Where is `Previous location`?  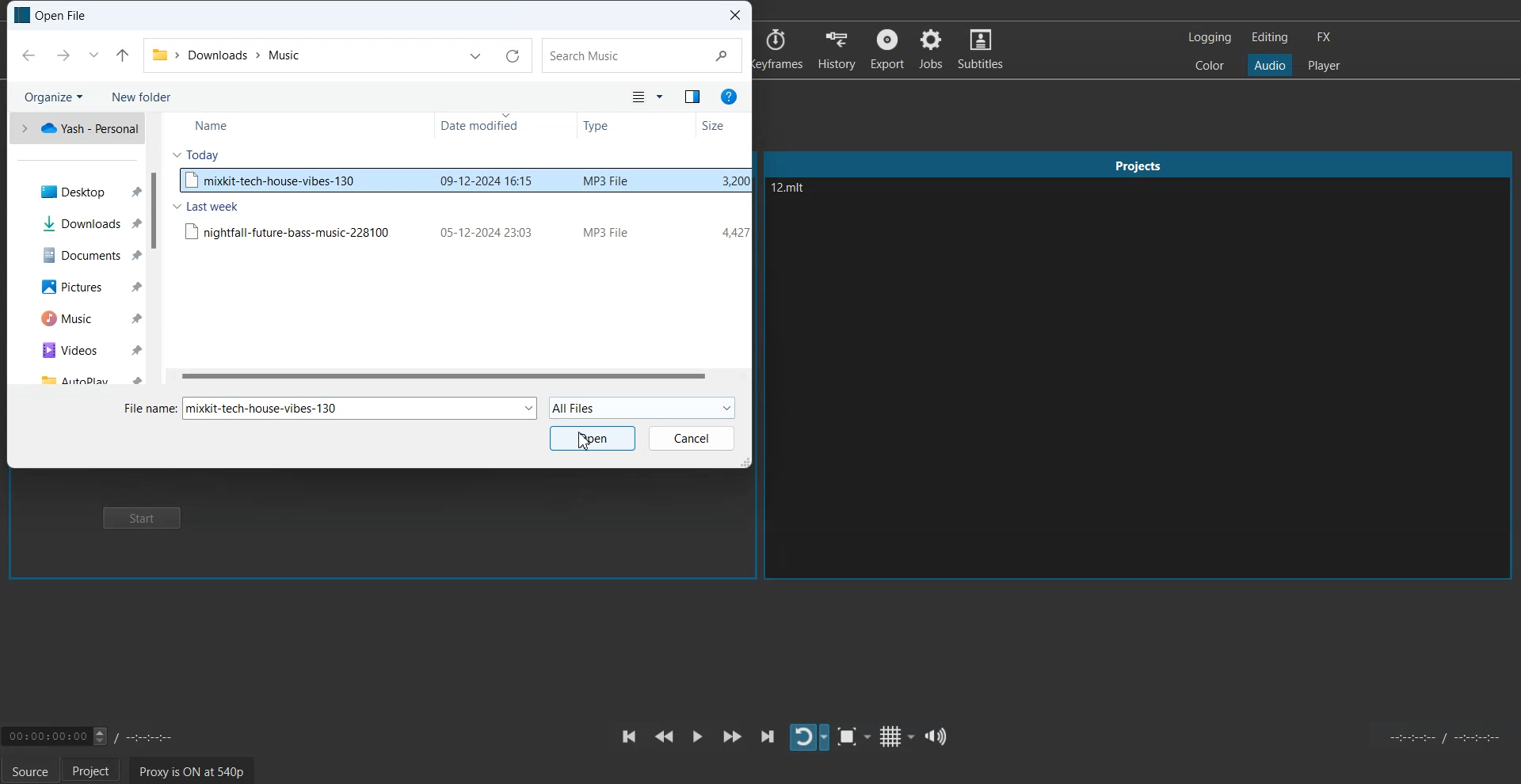
Previous location is located at coordinates (476, 55).